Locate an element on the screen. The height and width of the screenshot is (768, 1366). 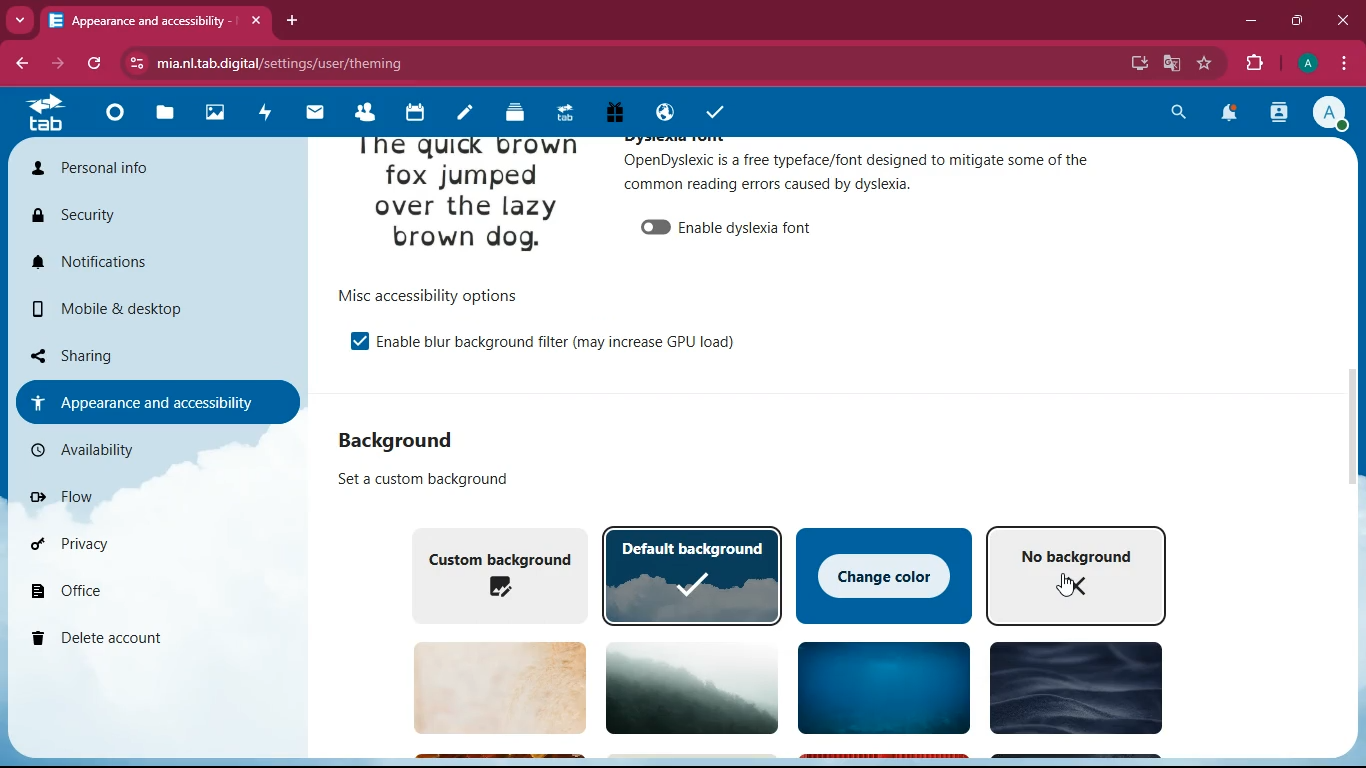
sharing is located at coordinates (149, 353).